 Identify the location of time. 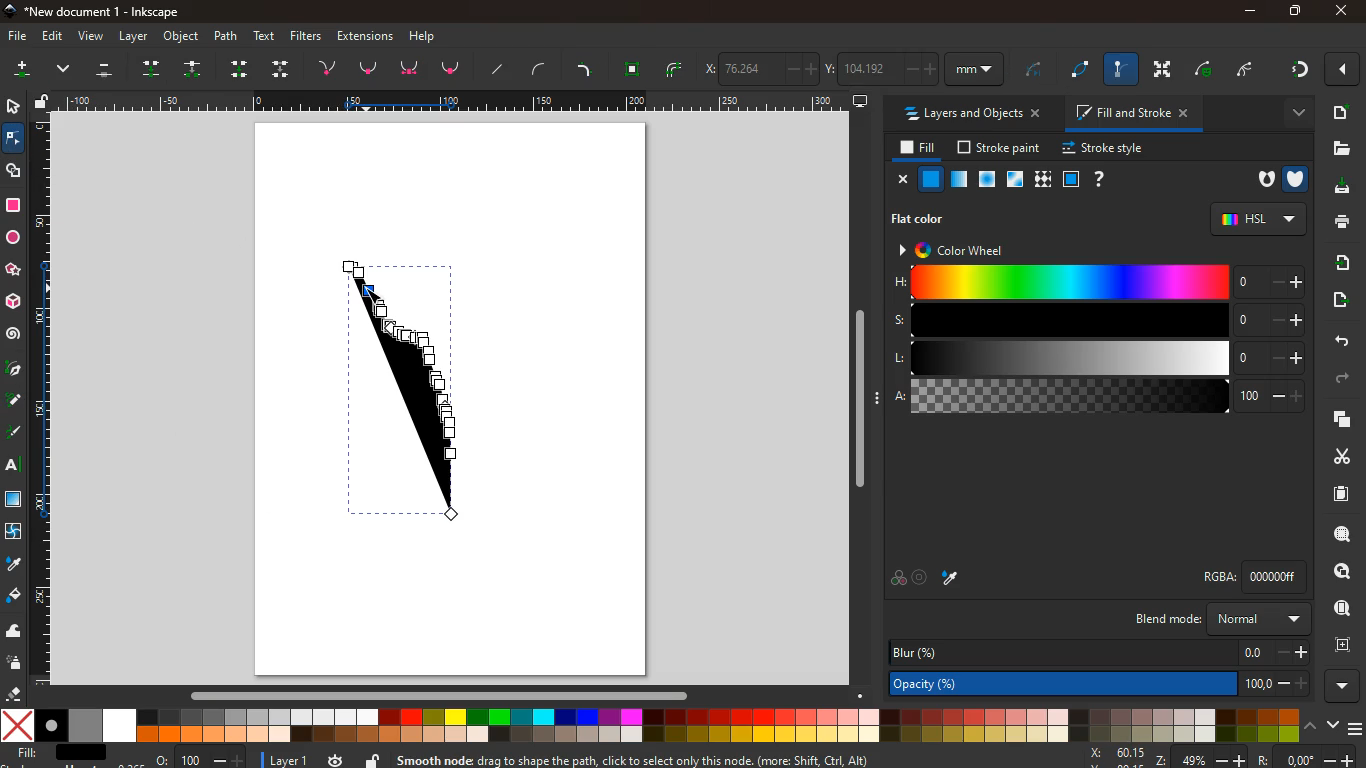
(336, 760).